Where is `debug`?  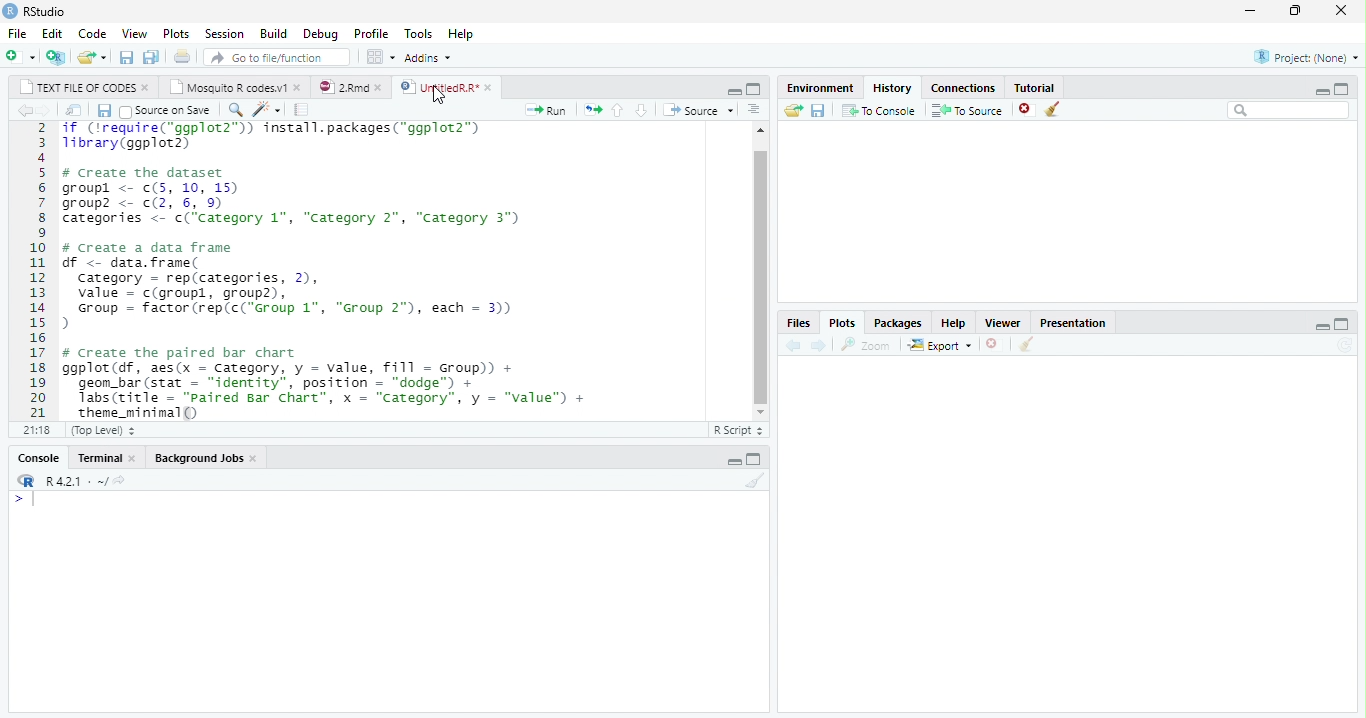 debug is located at coordinates (320, 33).